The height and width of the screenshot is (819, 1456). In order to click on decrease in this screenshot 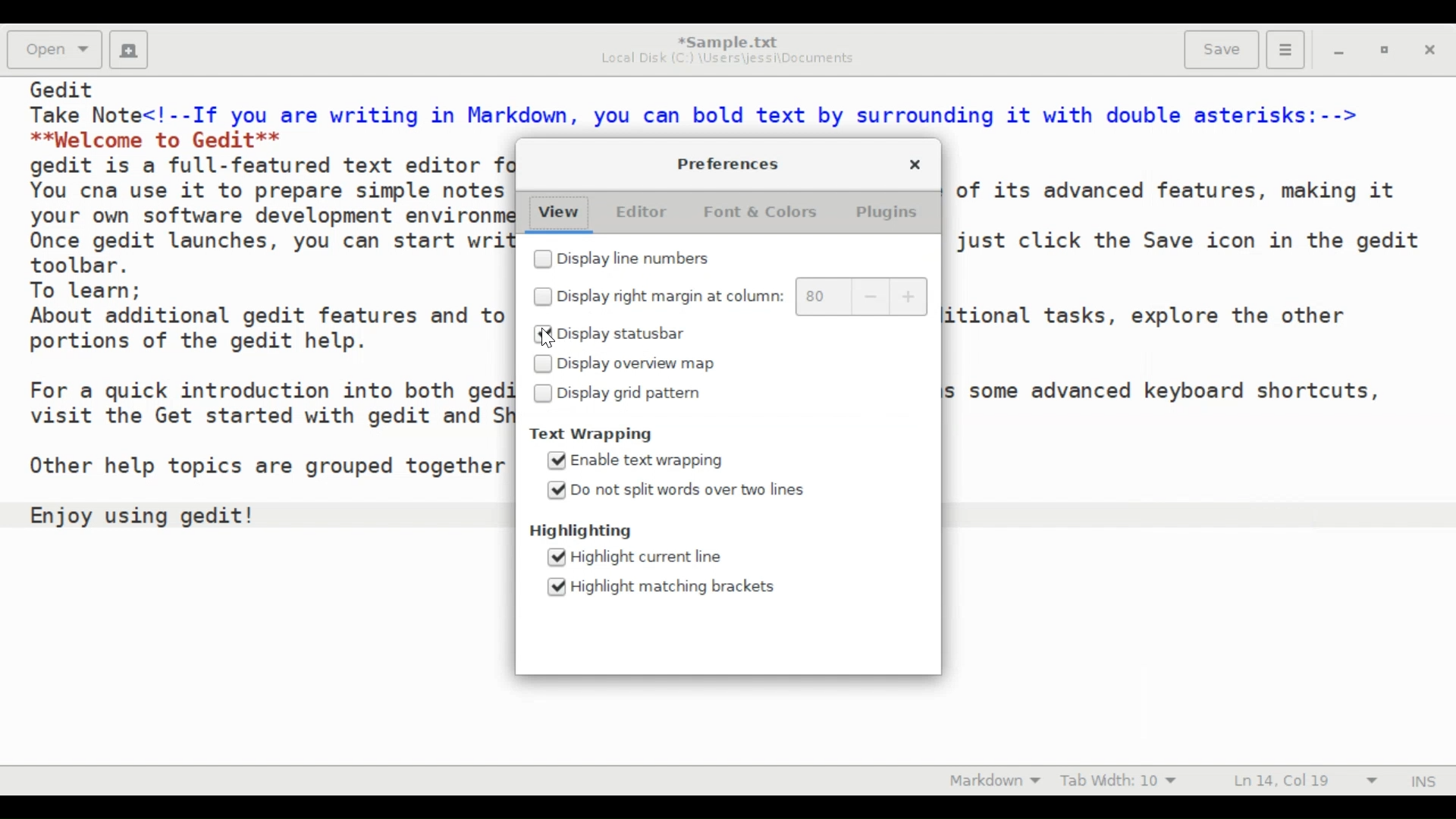, I will do `click(871, 297)`.